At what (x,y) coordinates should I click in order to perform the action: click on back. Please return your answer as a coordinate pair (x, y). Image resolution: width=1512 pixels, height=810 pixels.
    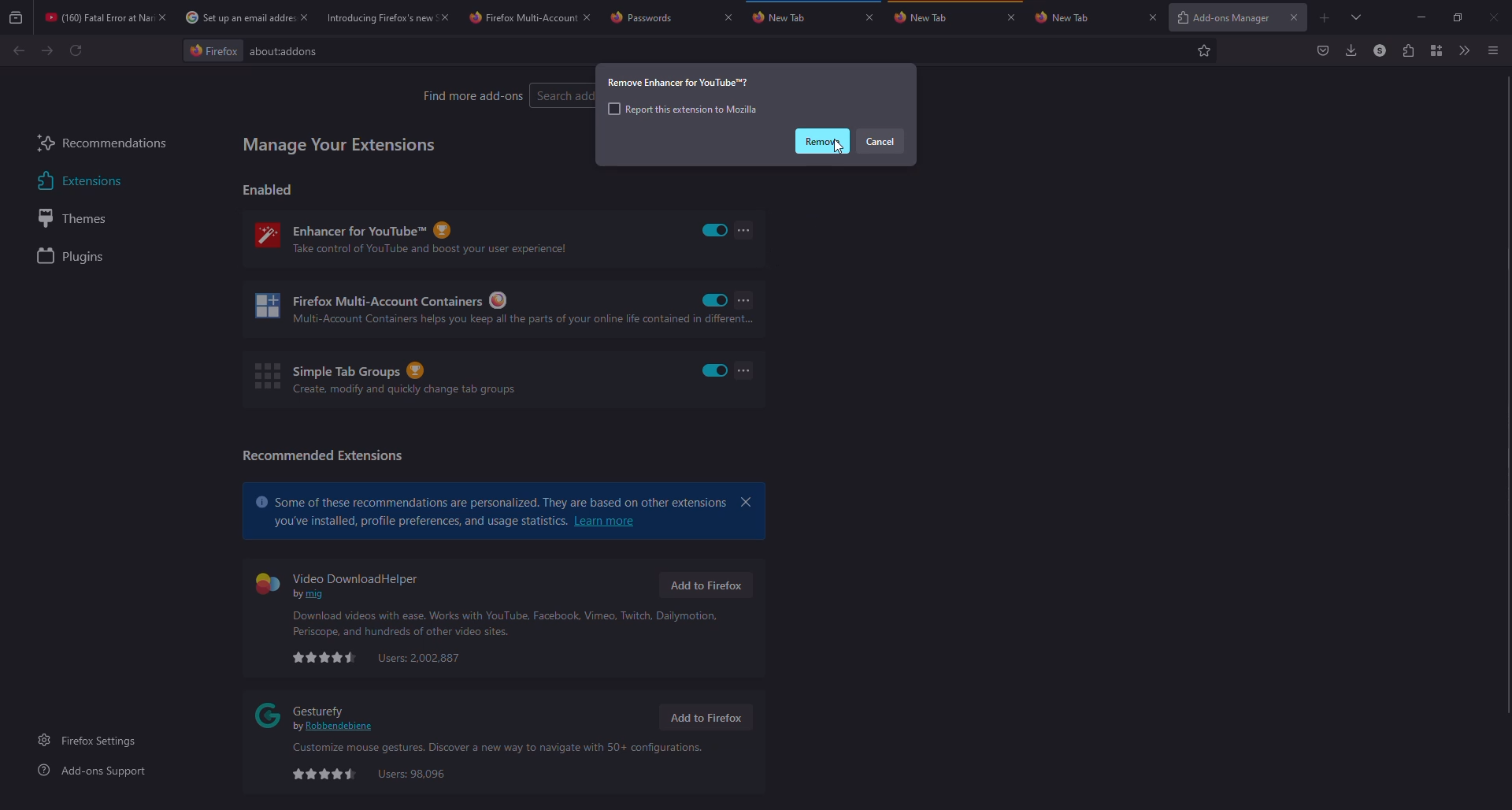
    Looking at the image, I should click on (19, 50).